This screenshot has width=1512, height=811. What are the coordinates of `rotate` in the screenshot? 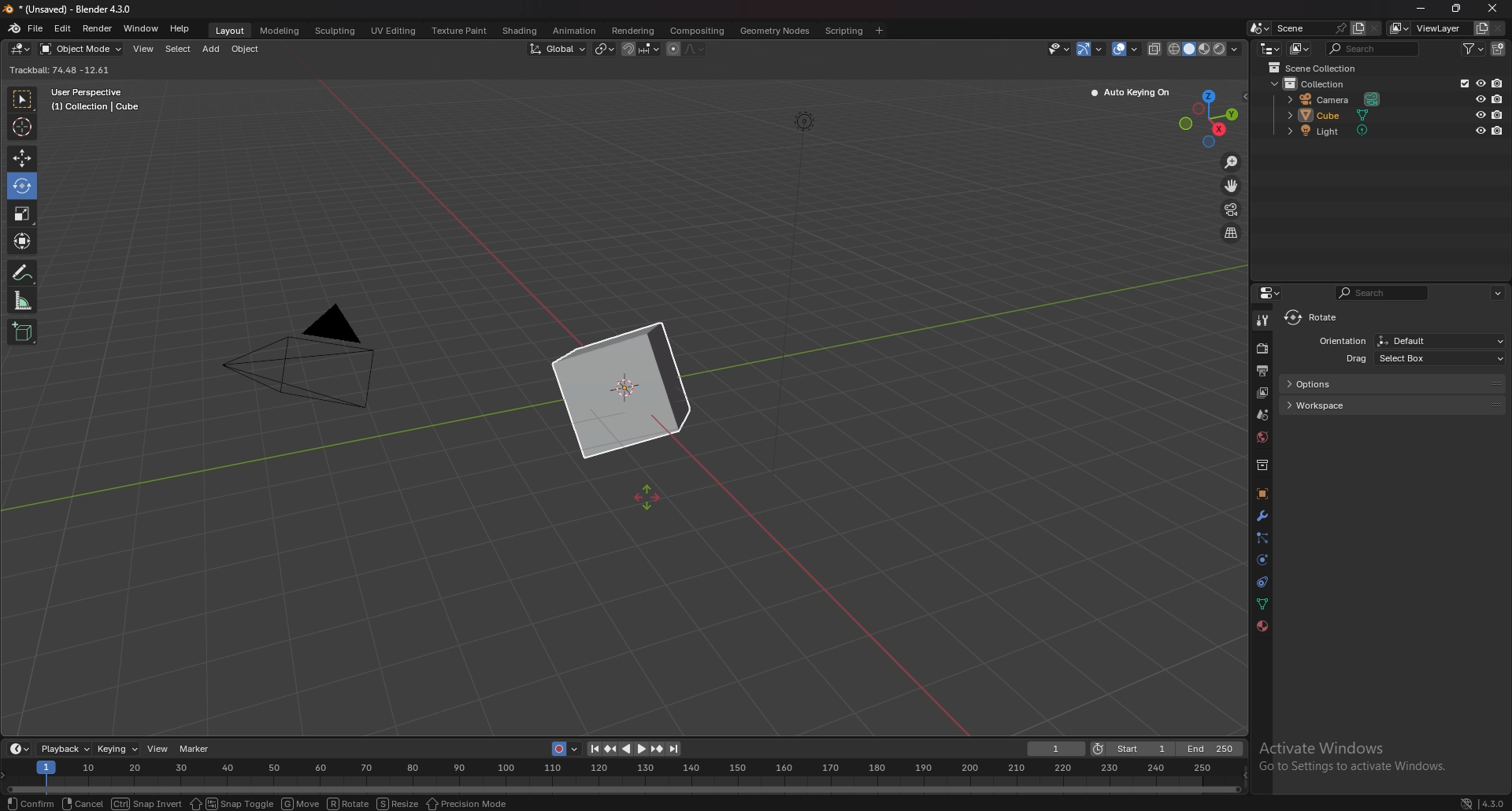 It's located at (349, 803).